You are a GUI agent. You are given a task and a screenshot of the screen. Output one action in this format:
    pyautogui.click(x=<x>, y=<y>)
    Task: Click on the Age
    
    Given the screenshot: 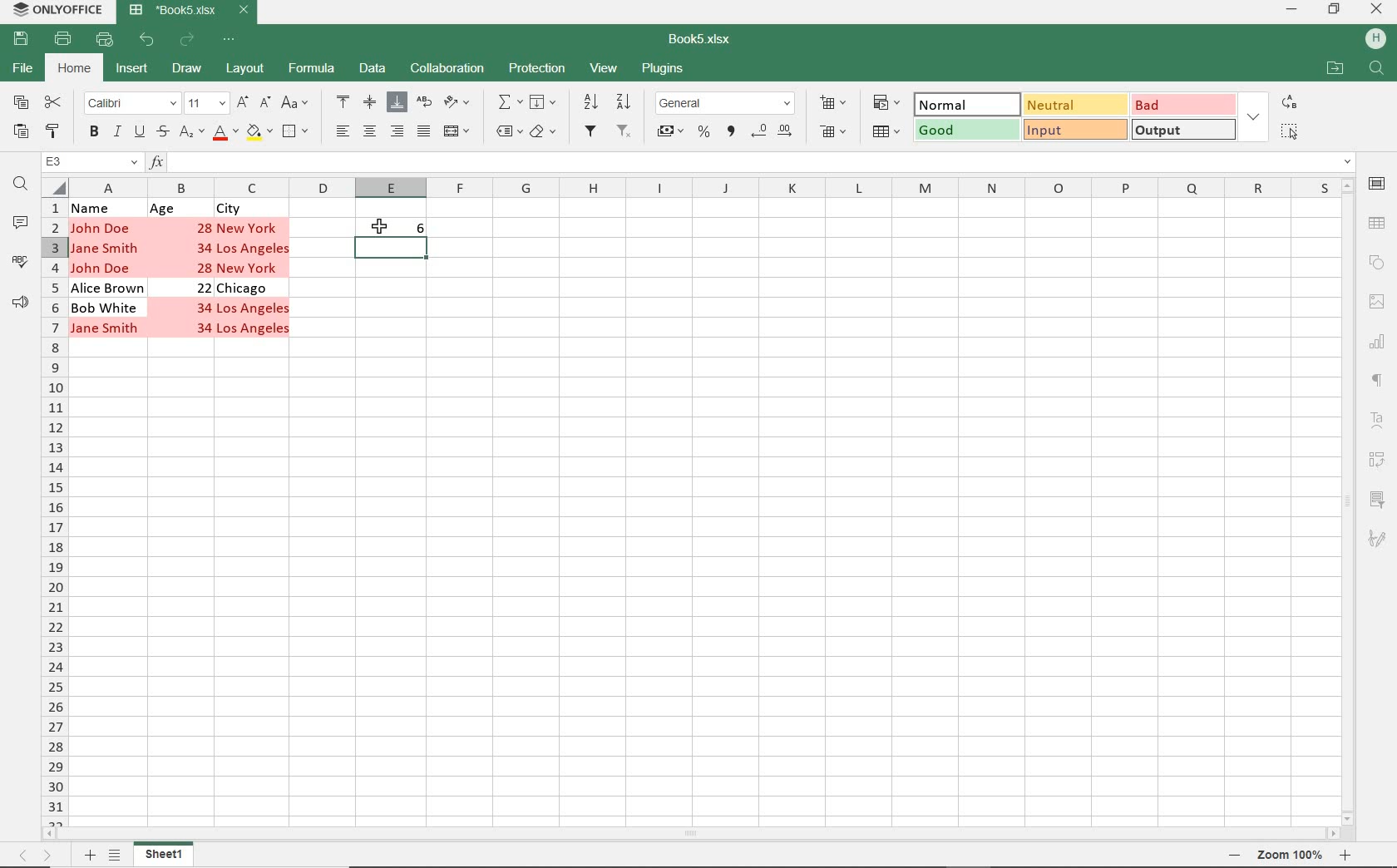 What is the action you would take?
    pyautogui.click(x=164, y=209)
    